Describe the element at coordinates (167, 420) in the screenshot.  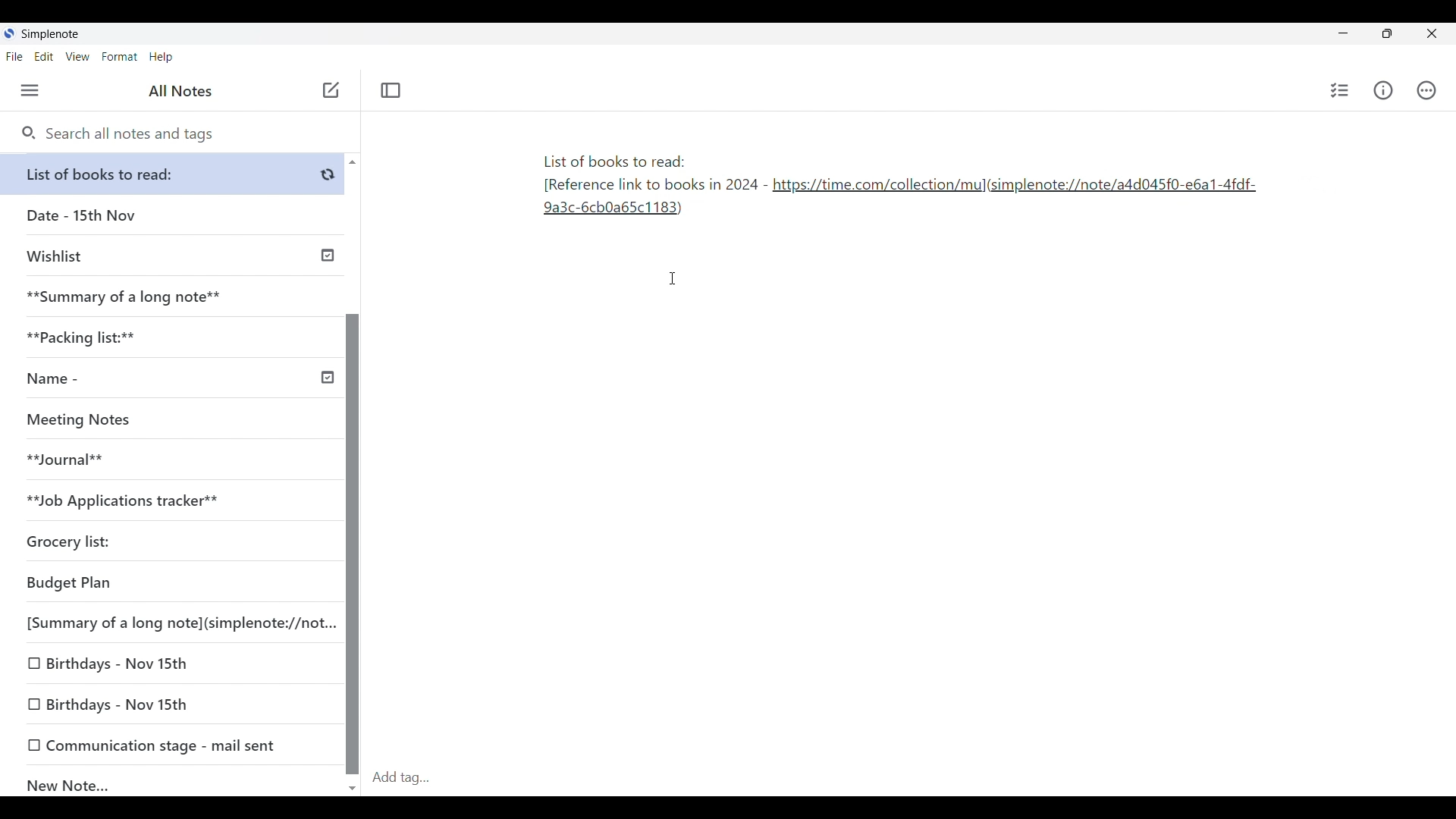
I see `Meeting Notes` at that location.